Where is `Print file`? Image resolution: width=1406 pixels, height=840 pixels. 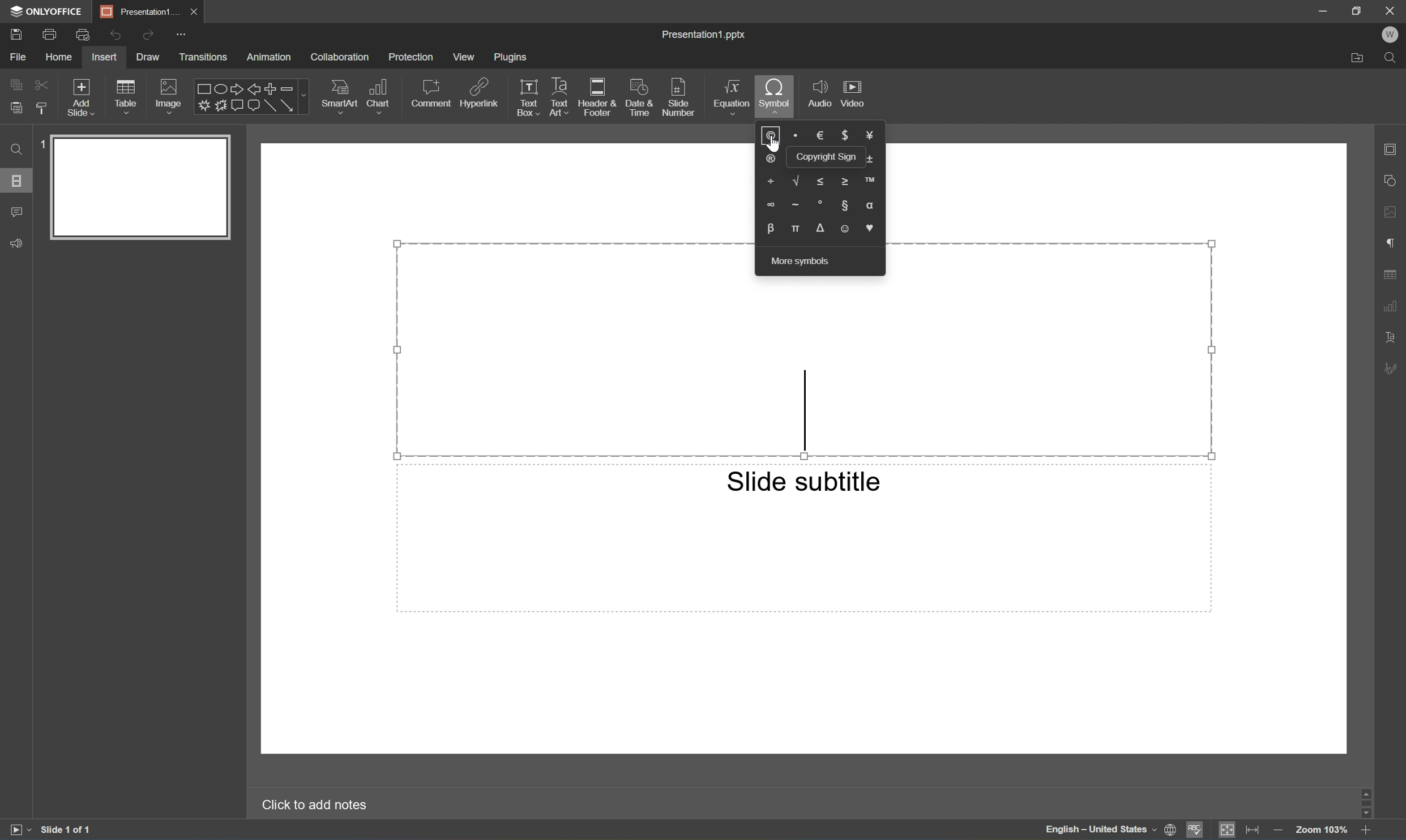 Print file is located at coordinates (50, 33).